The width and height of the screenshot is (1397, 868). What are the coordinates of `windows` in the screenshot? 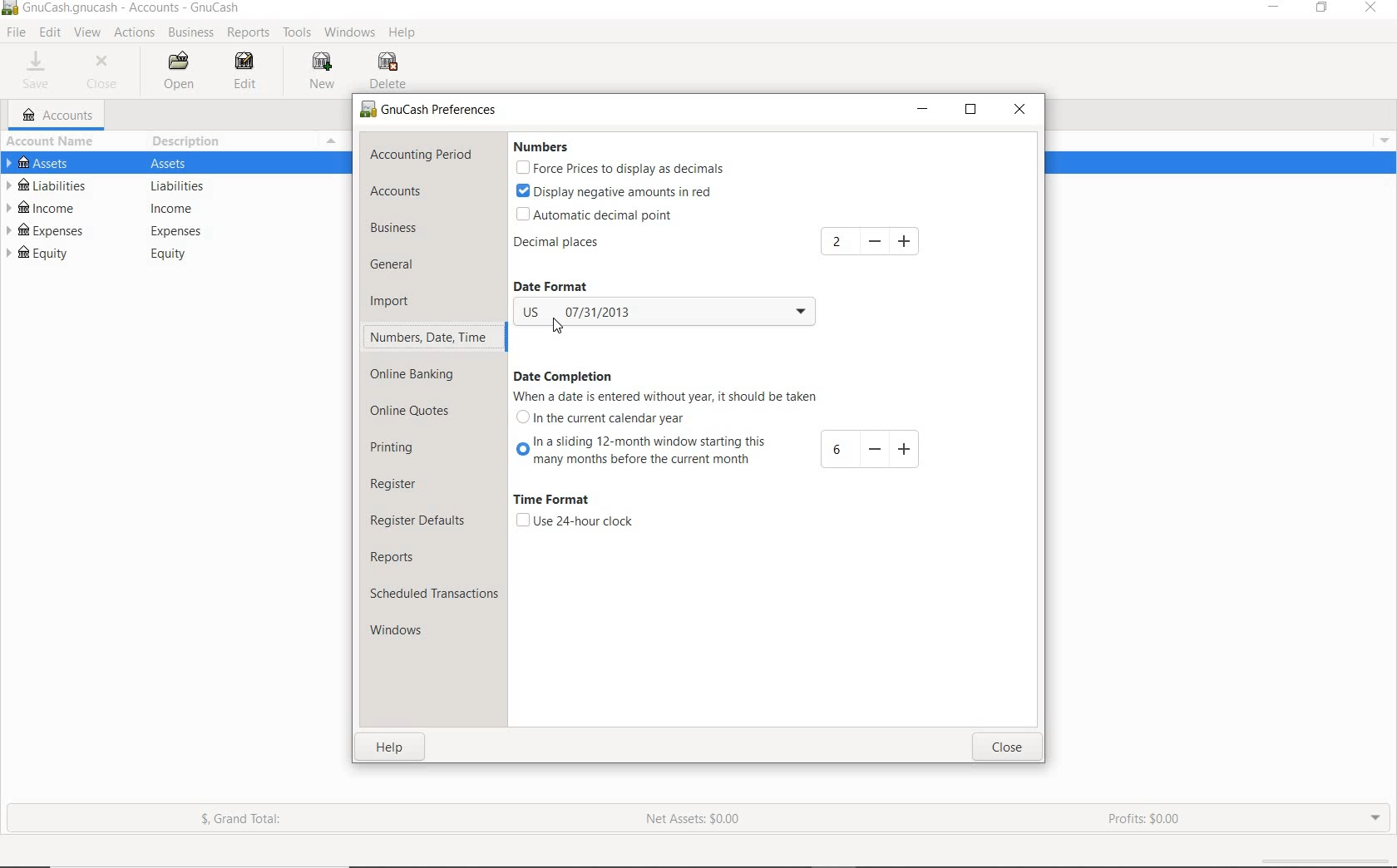 It's located at (403, 632).